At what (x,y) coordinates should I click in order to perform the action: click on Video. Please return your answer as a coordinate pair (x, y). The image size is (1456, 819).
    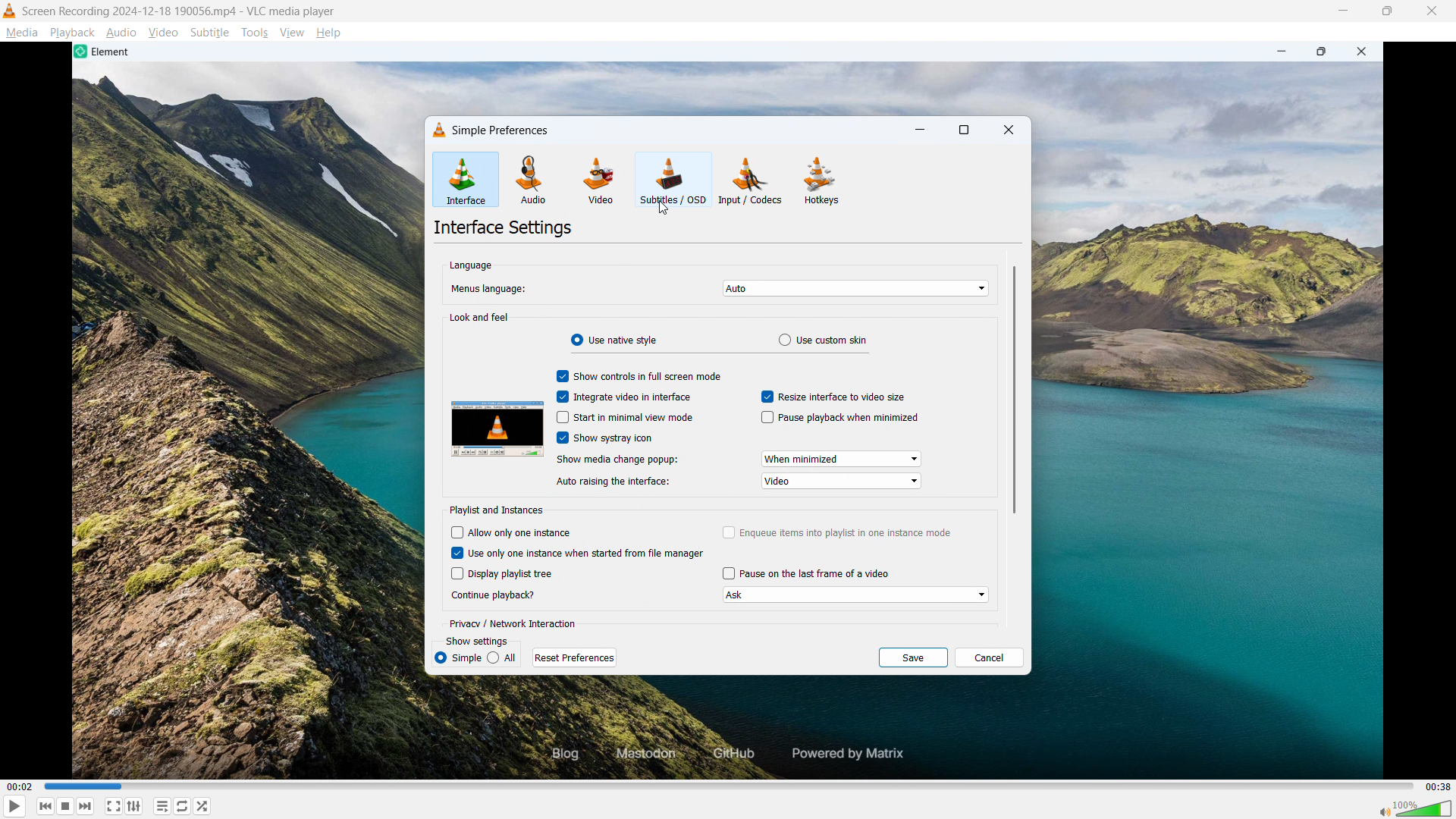
    Looking at the image, I should click on (843, 481).